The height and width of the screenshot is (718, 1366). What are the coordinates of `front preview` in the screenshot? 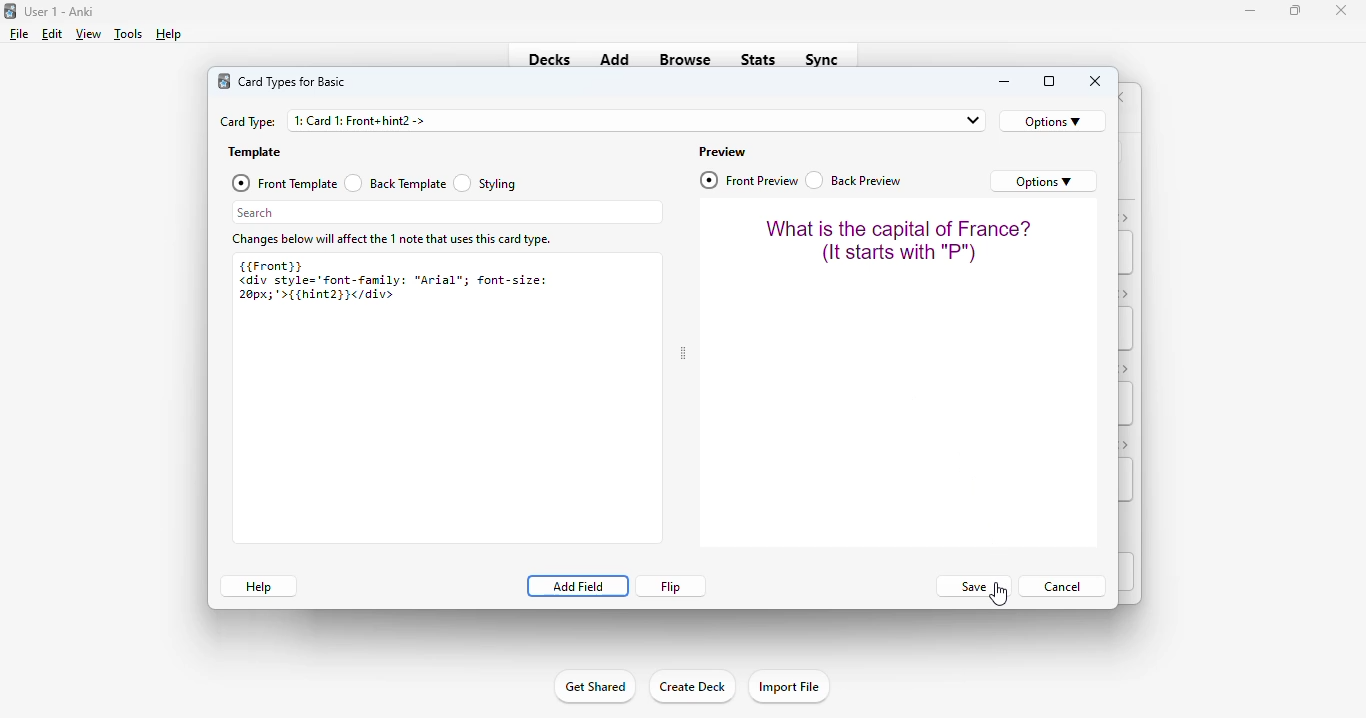 It's located at (750, 180).